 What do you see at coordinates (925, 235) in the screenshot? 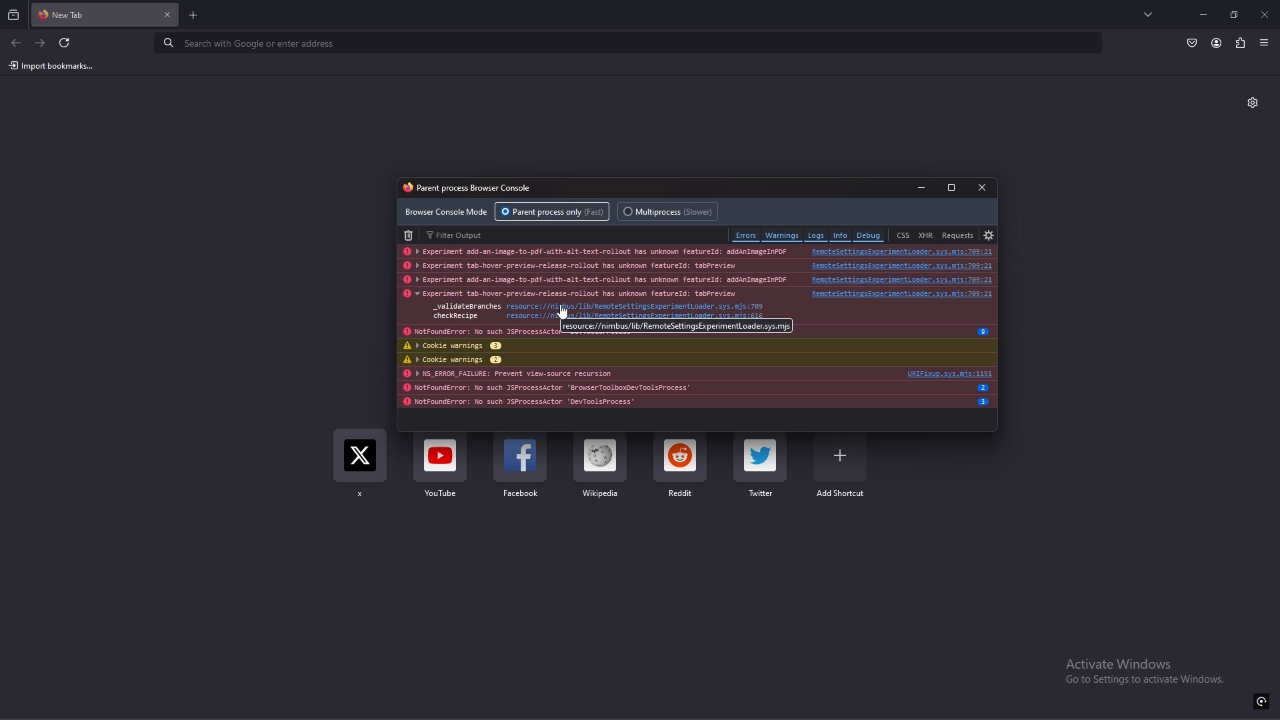
I see `xhr` at bounding box center [925, 235].